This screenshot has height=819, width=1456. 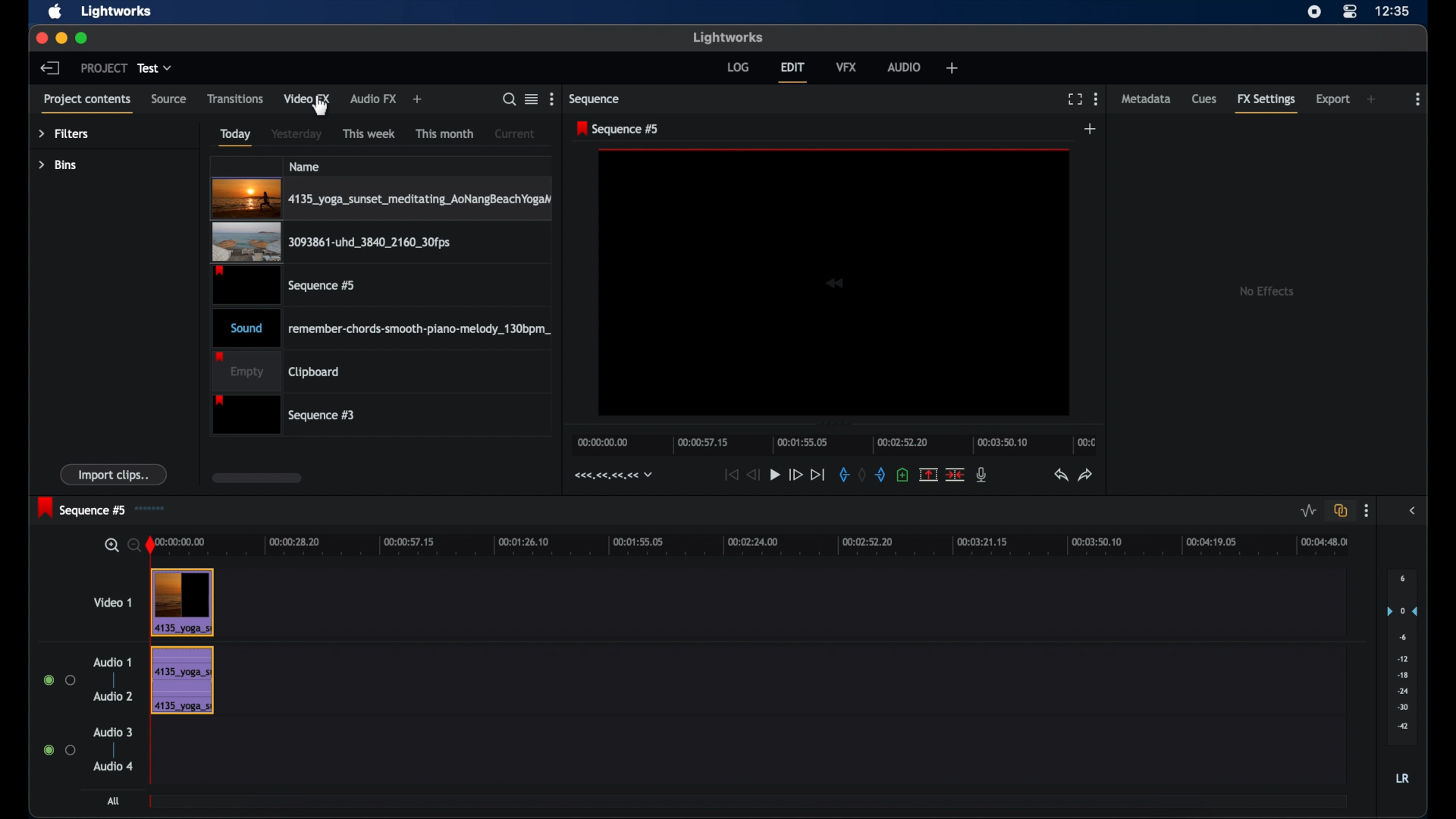 I want to click on redo, so click(x=1087, y=475).